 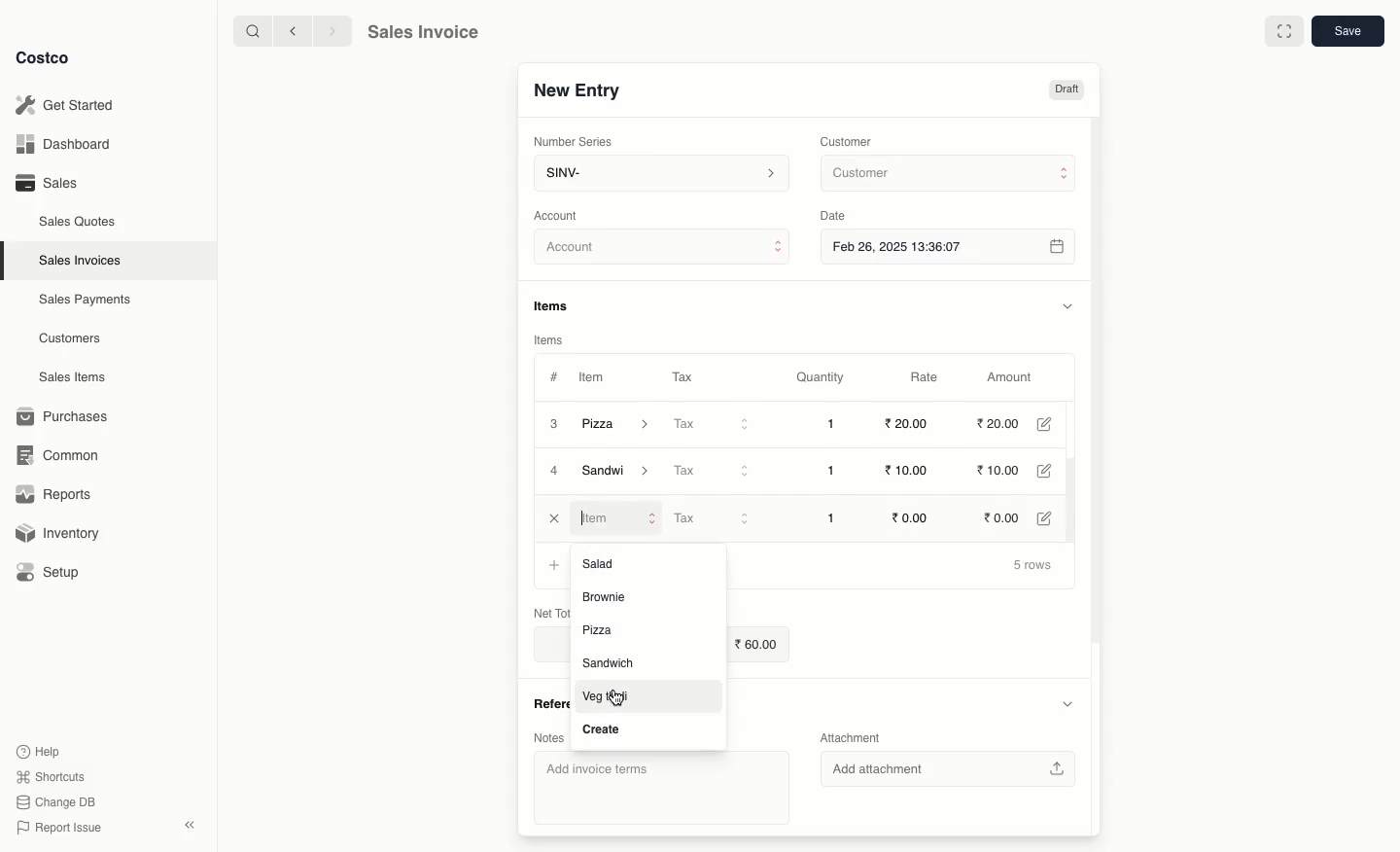 I want to click on Rate, so click(x=927, y=377).